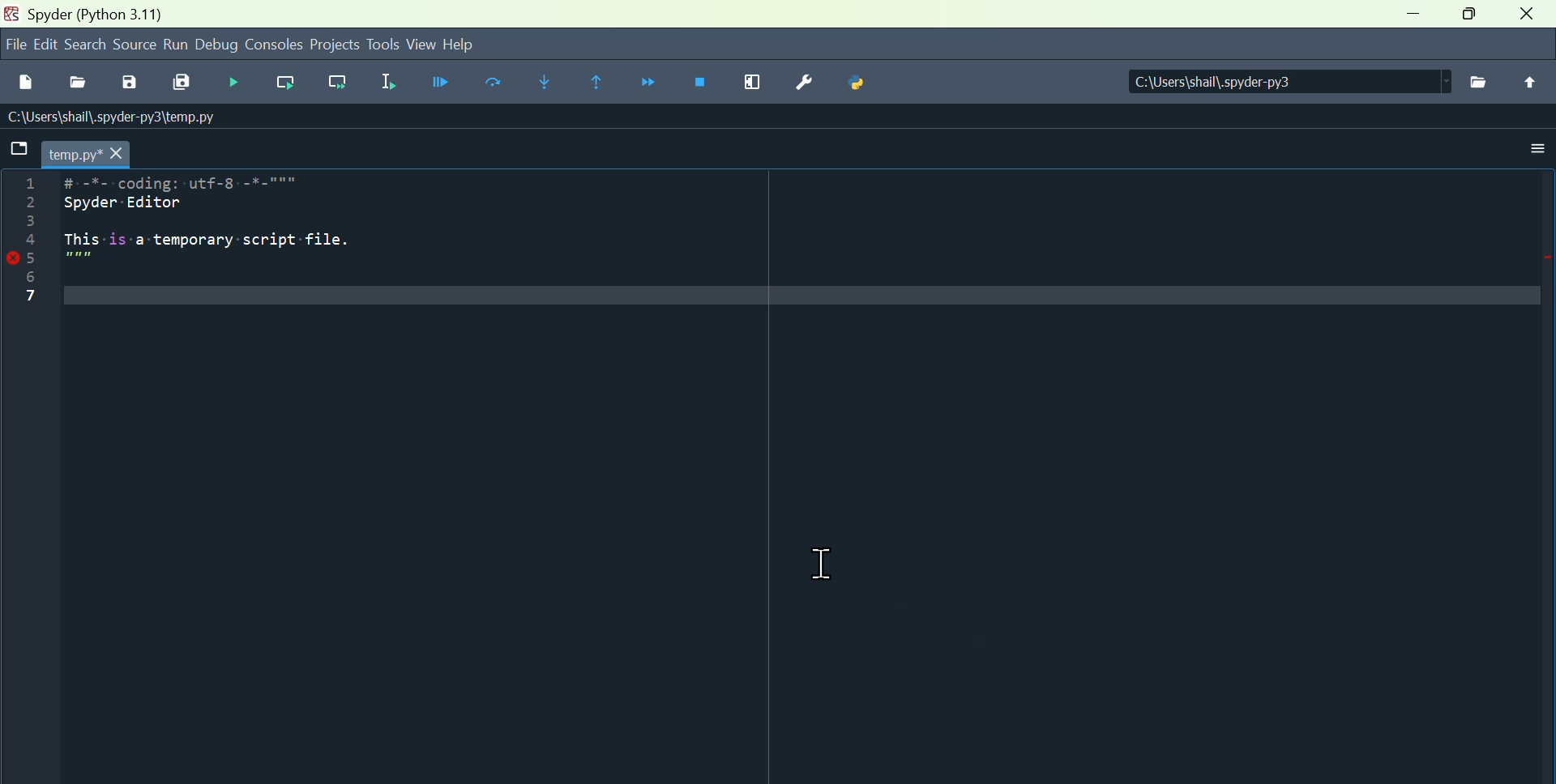 This screenshot has width=1556, height=784. What do you see at coordinates (1272, 79) in the screenshot?
I see `FE —
C:\Users\shaill,spyder-py3` at bounding box center [1272, 79].